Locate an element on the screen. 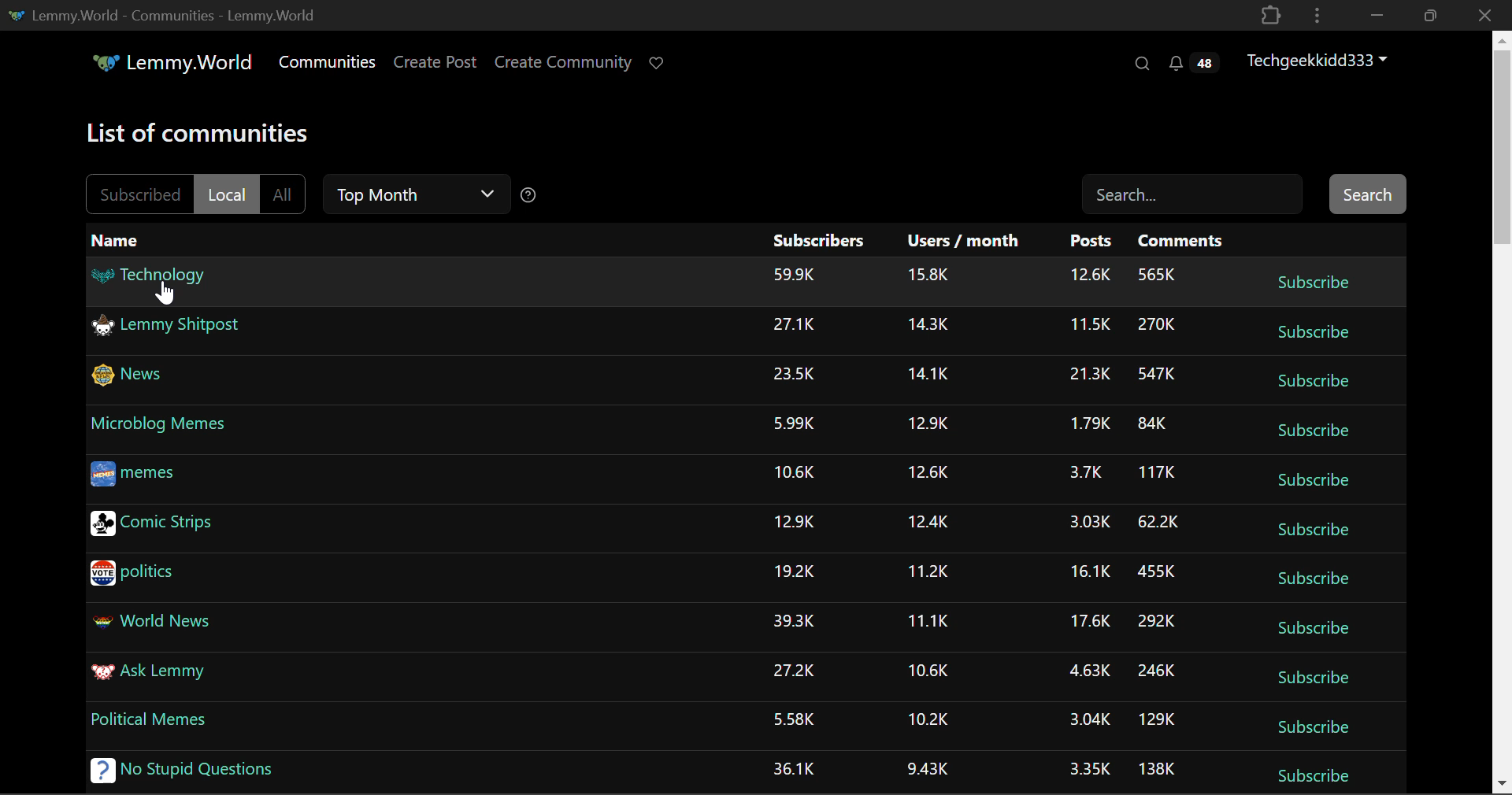 This screenshot has width=1512, height=795. Posts is located at coordinates (1092, 243).